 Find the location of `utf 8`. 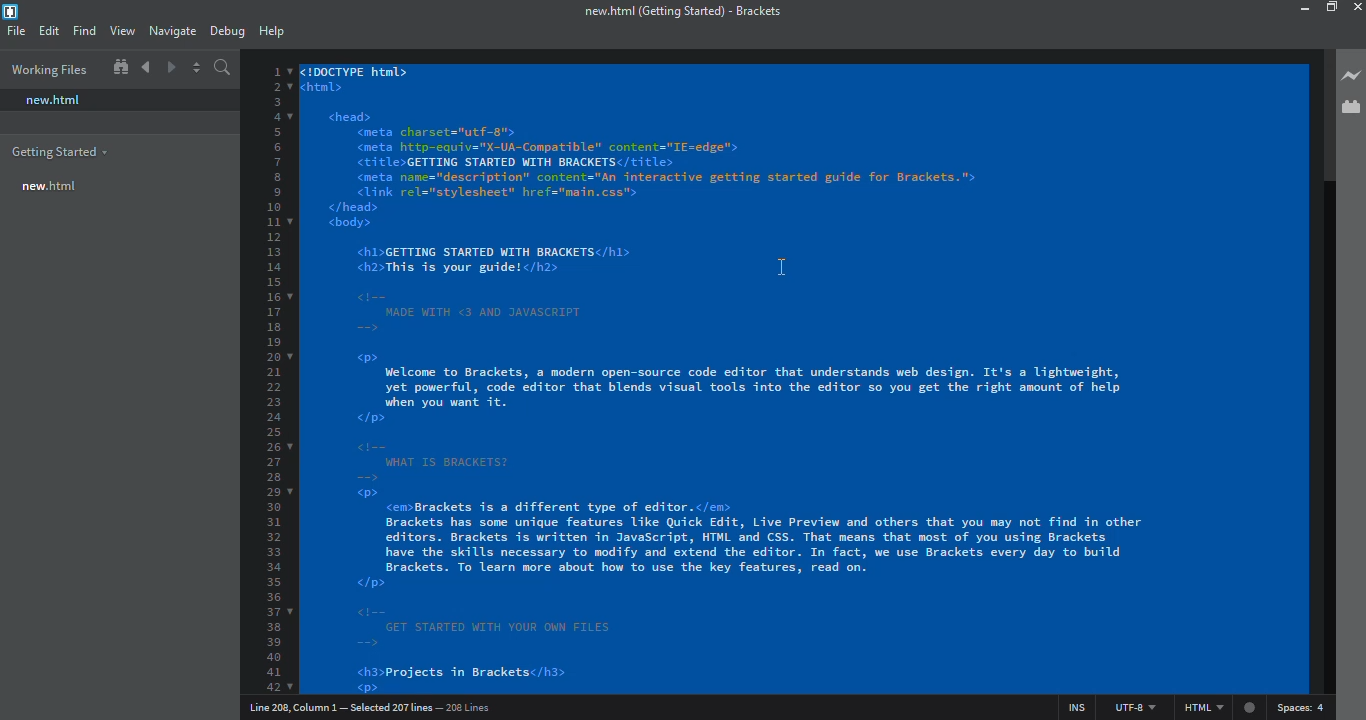

utf 8 is located at coordinates (1132, 707).